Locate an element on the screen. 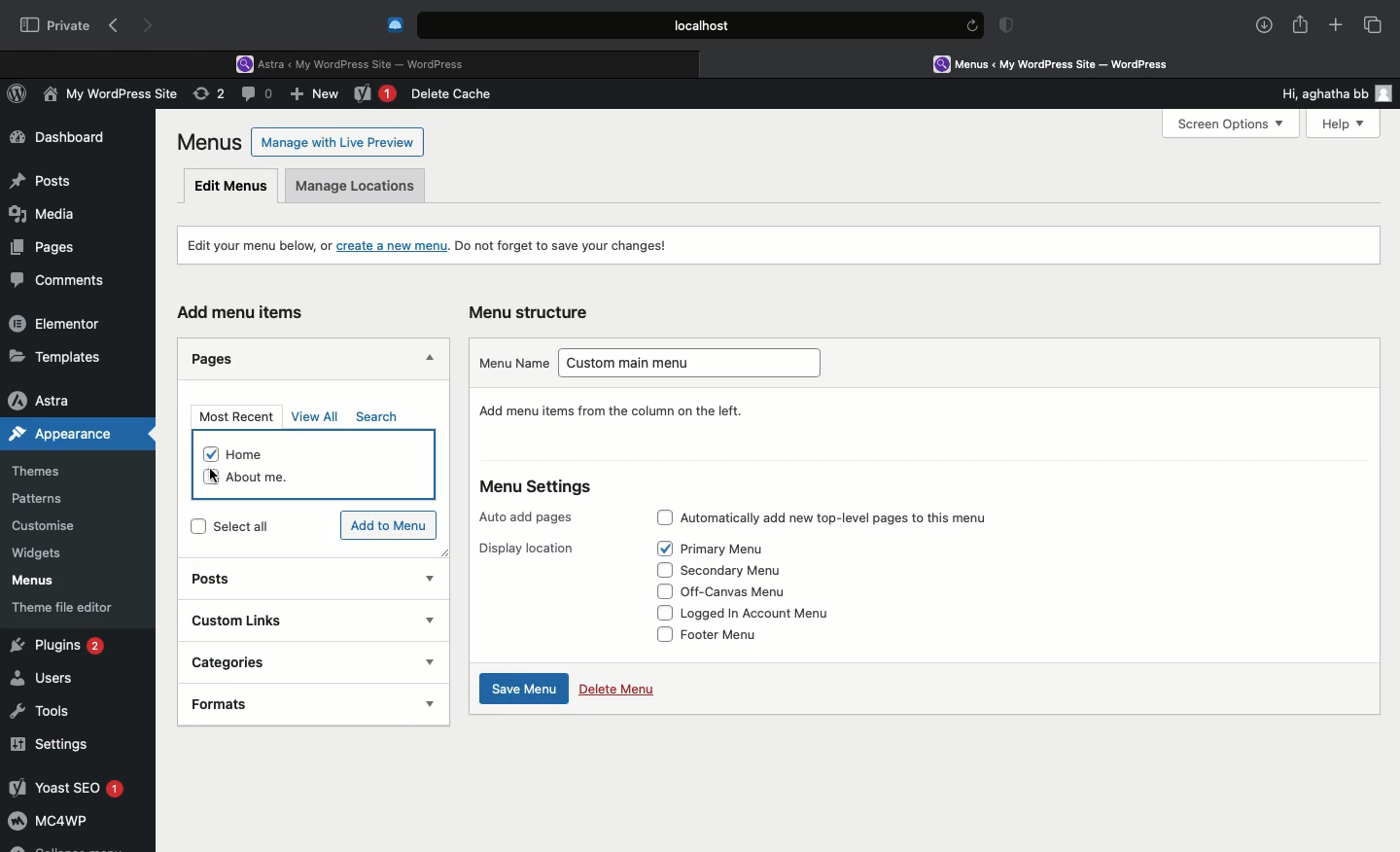  Save menu is located at coordinates (520, 690).